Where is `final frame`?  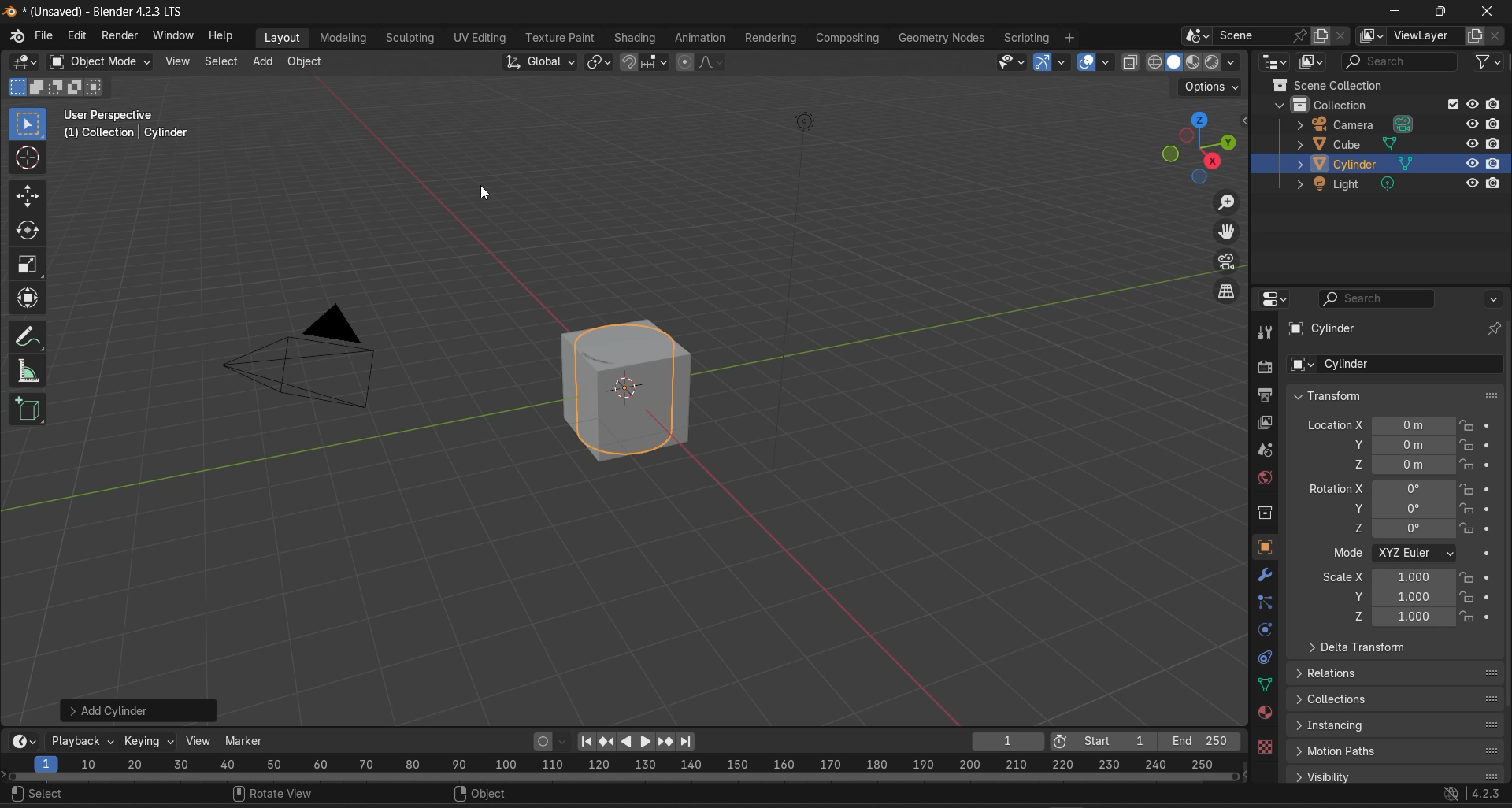 final frame is located at coordinates (1199, 738).